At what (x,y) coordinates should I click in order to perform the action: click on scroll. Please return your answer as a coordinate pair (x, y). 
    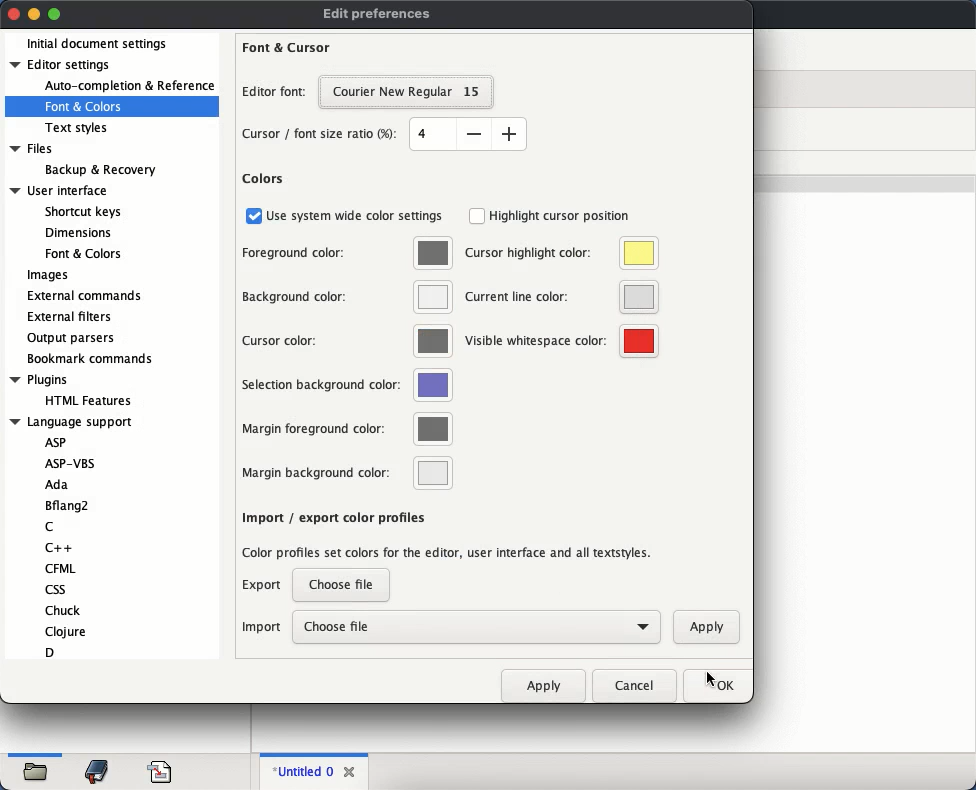
    Looking at the image, I should click on (221, 178).